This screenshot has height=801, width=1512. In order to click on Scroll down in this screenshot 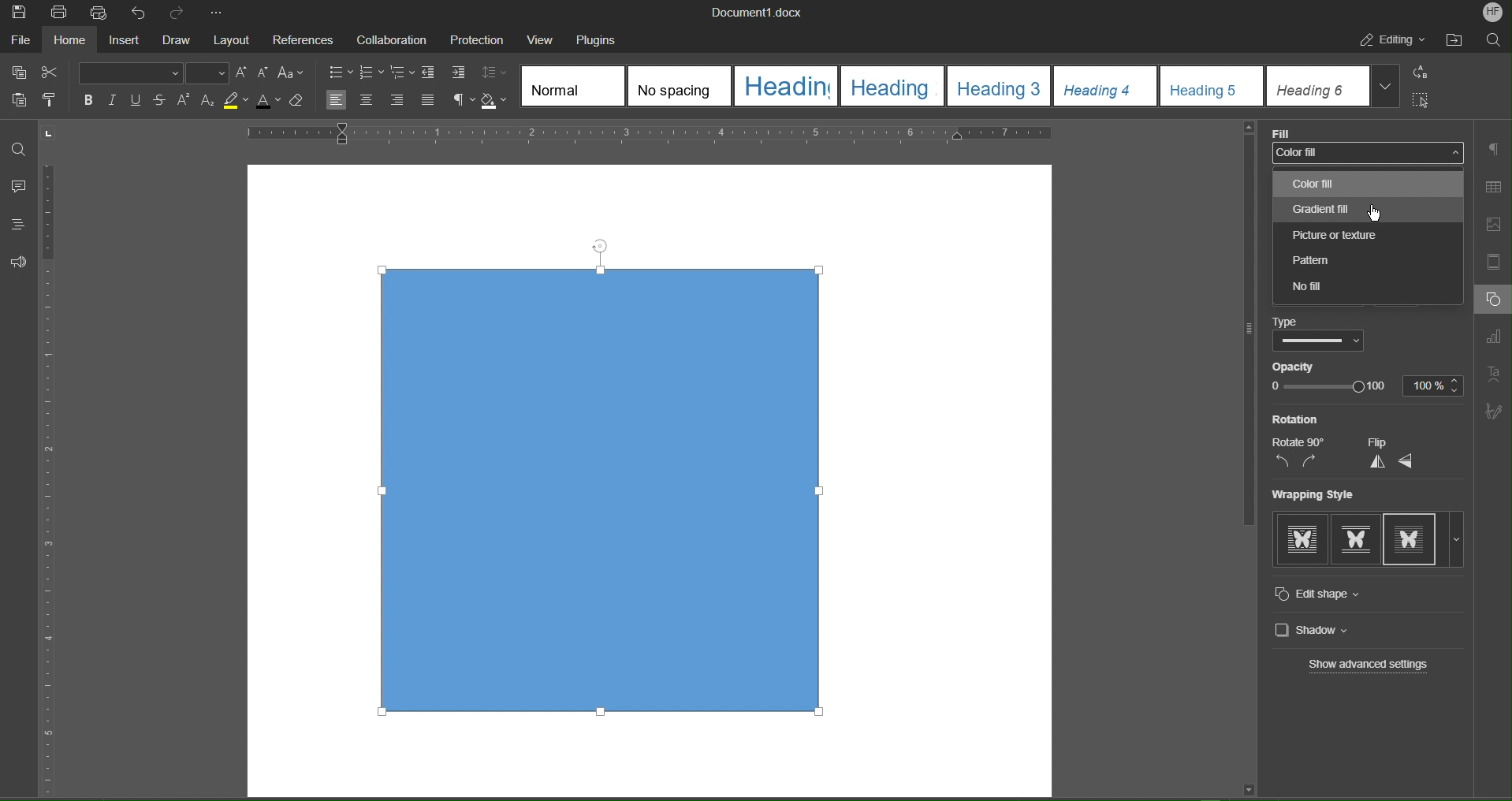, I will do `click(1249, 788)`.